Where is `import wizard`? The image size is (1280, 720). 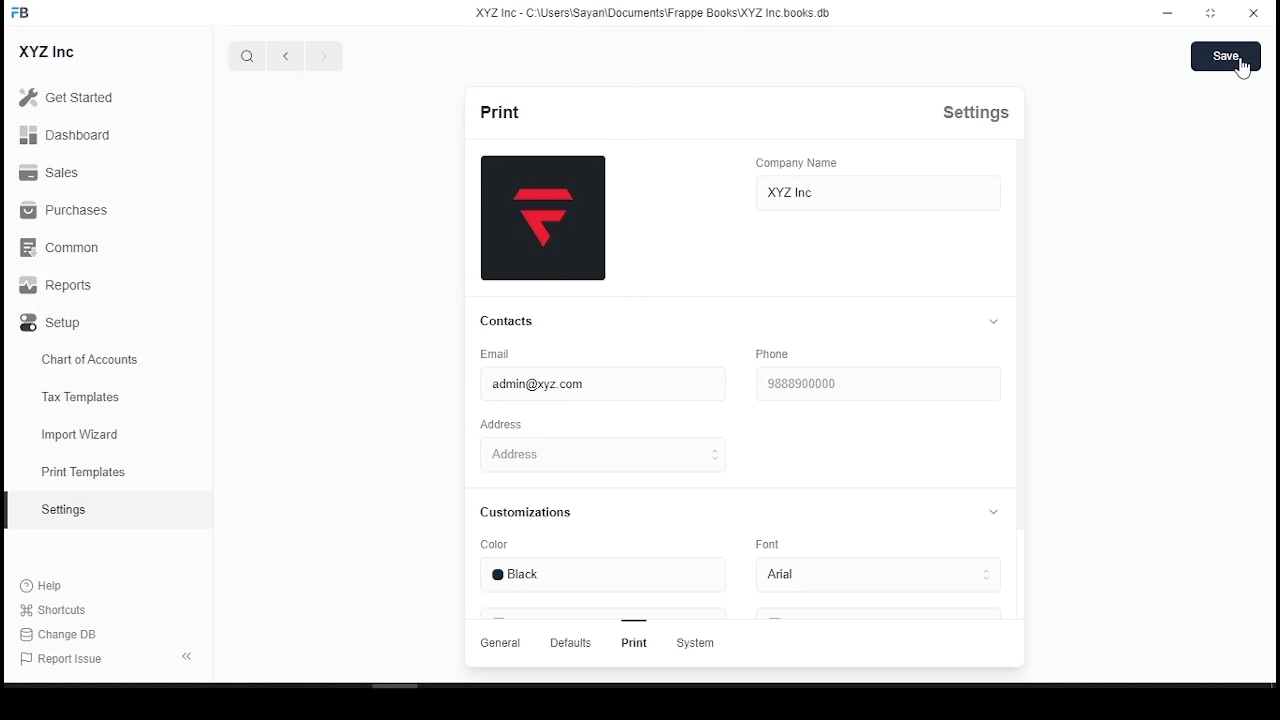
import wizard is located at coordinates (81, 436).